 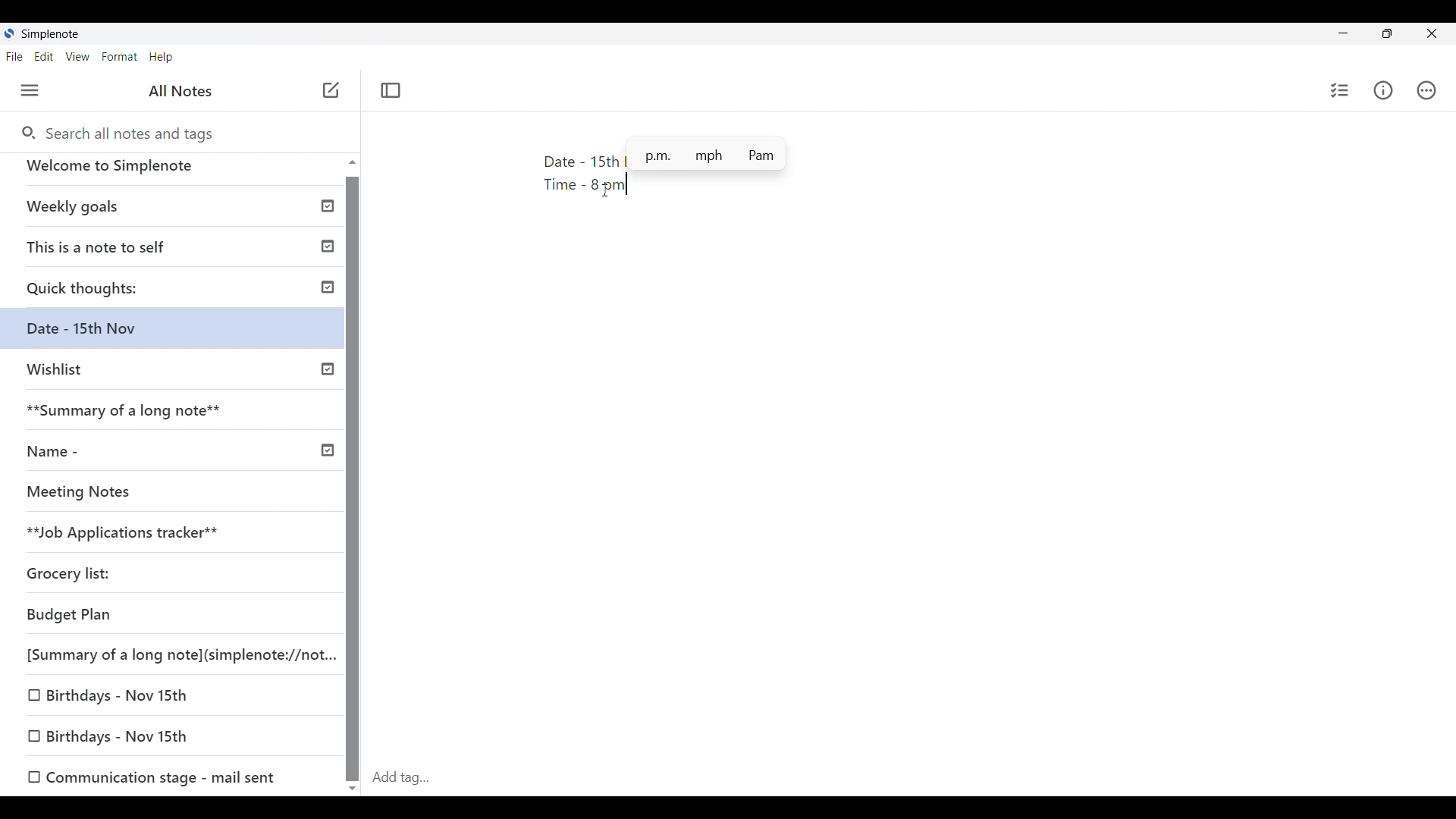 What do you see at coordinates (44, 56) in the screenshot?
I see `Edit menu` at bounding box center [44, 56].